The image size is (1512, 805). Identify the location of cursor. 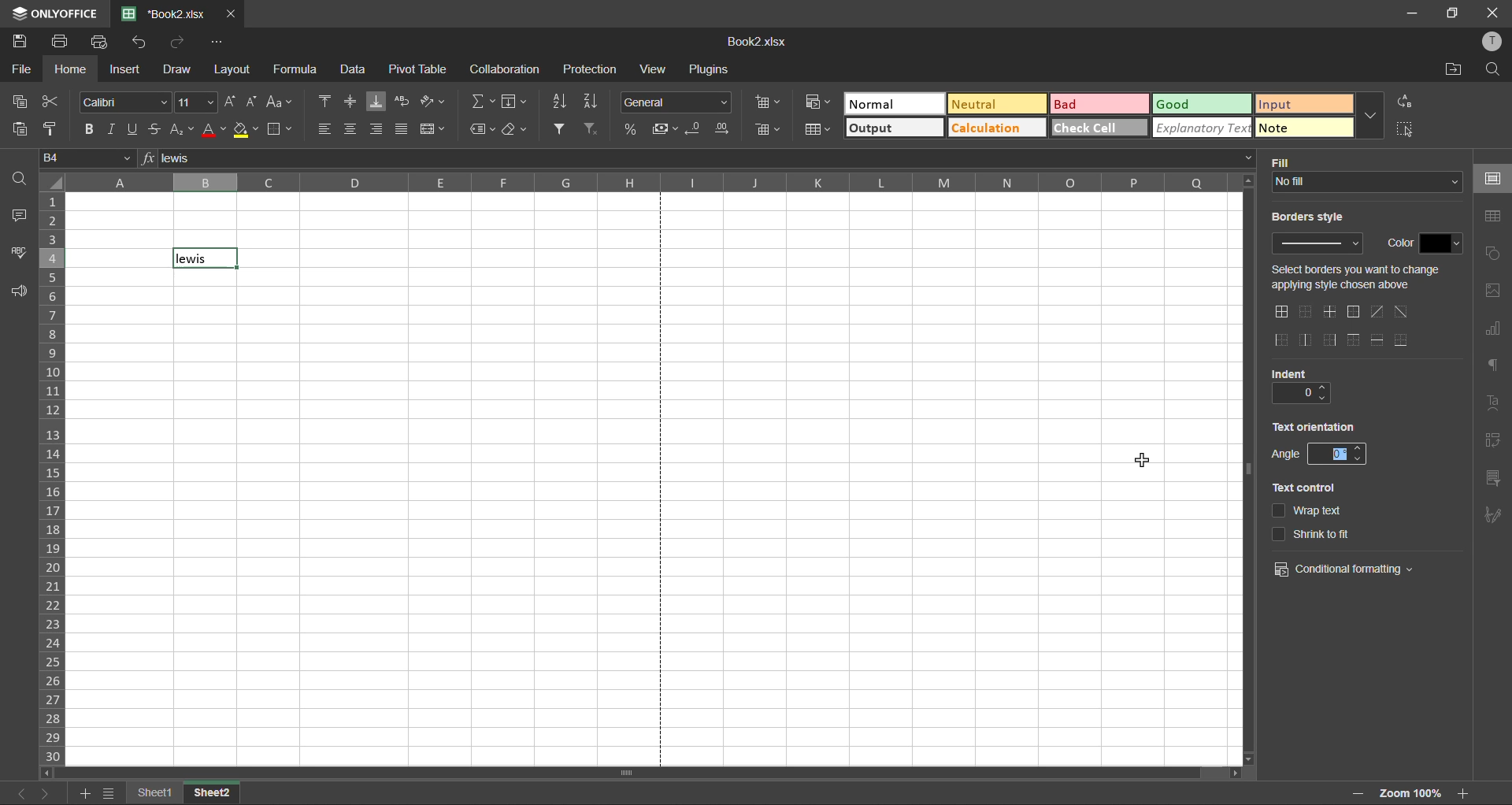
(1141, 459).